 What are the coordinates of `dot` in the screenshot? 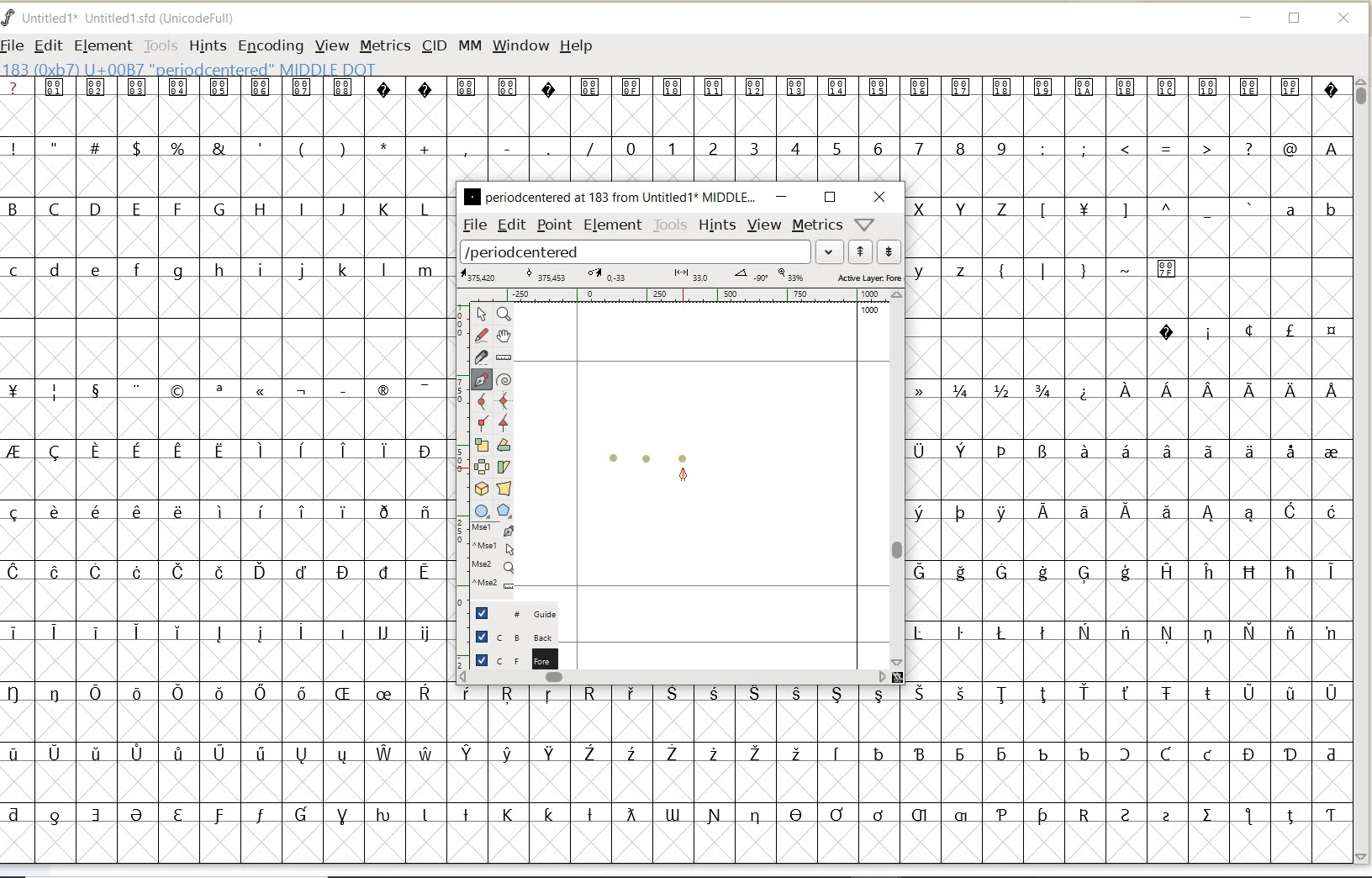 It's located at (646, 458).